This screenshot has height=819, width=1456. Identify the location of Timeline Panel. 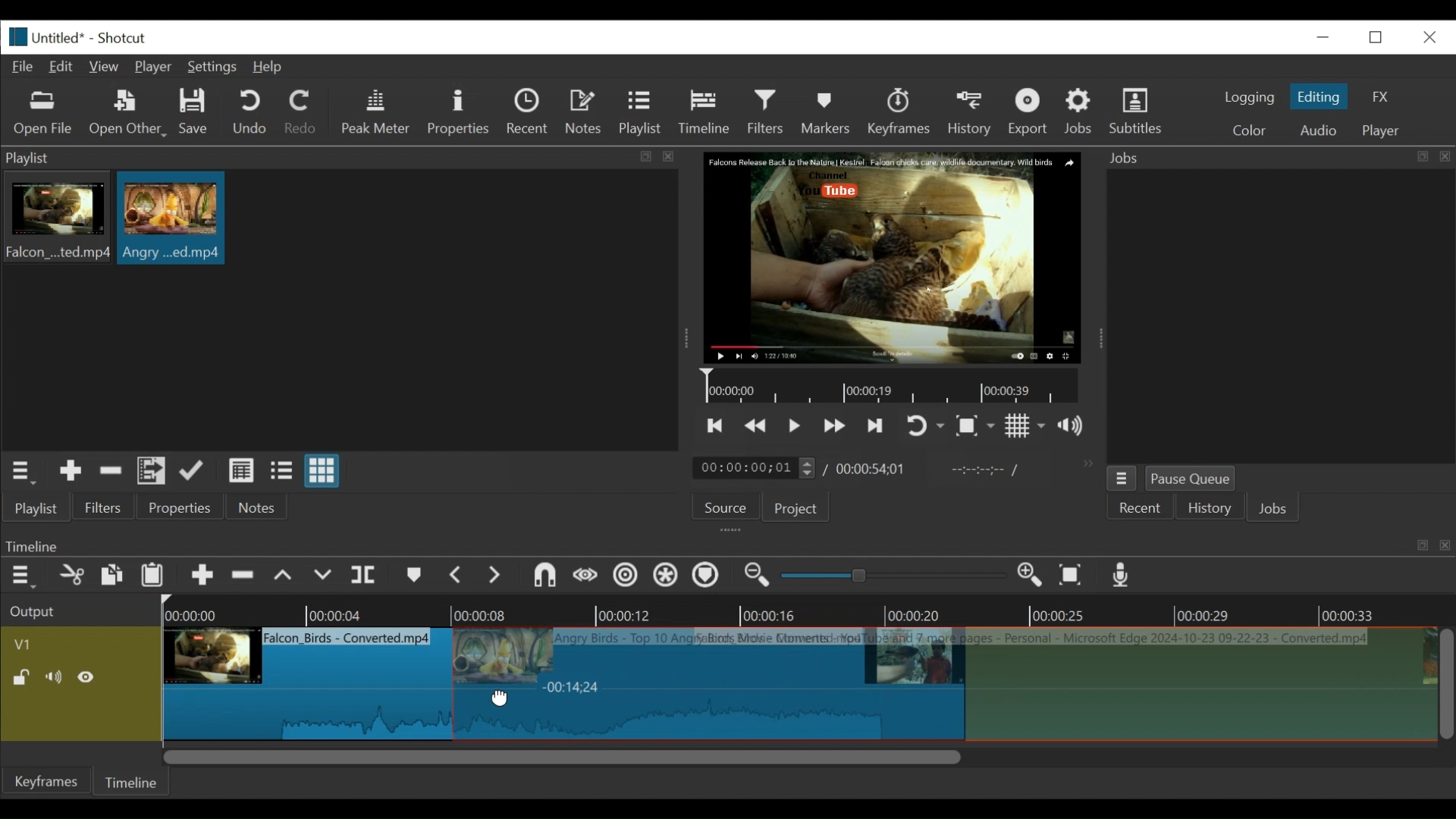
(726, 545).